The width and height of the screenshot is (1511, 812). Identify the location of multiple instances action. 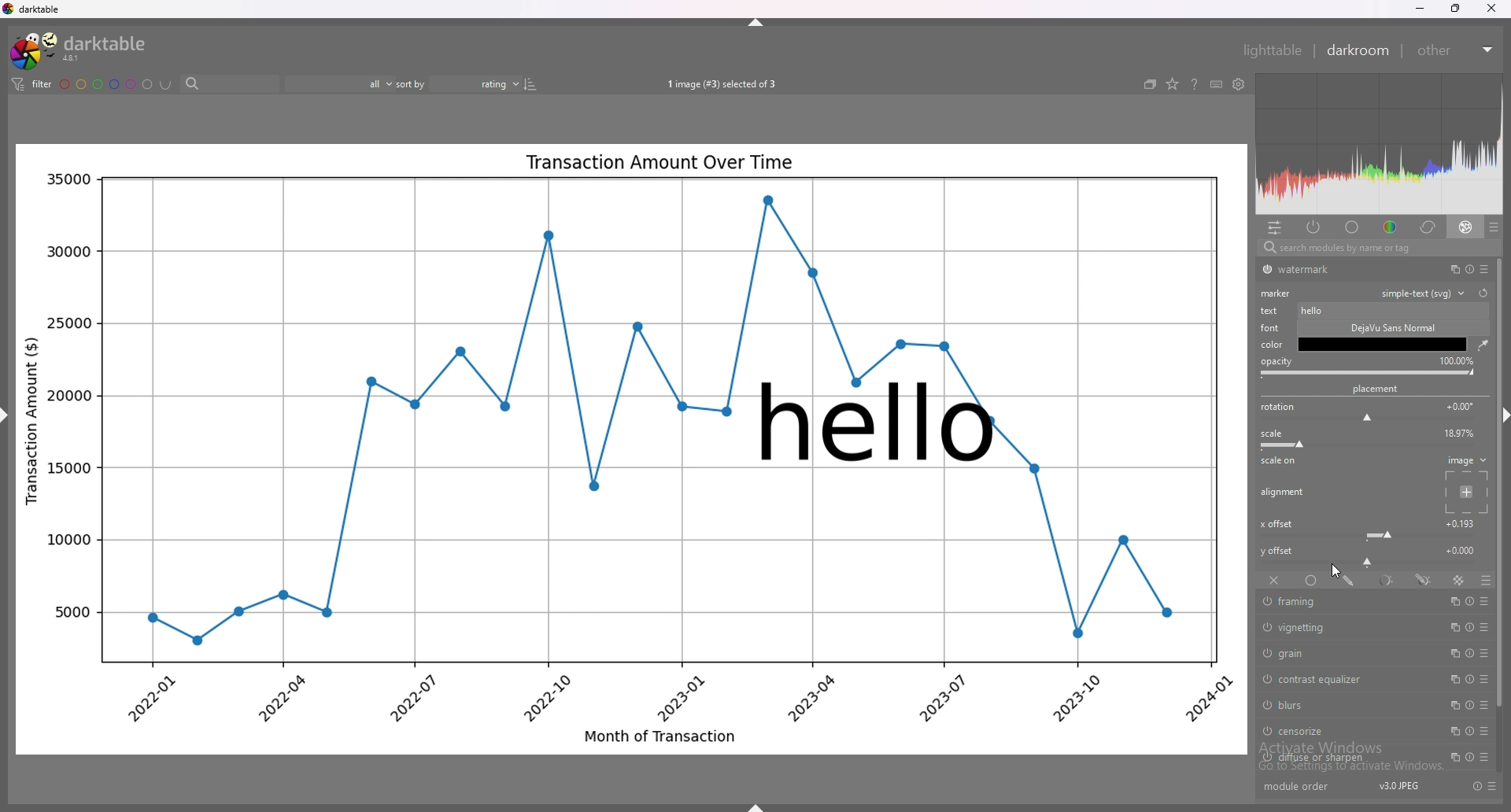
(1454, 600).